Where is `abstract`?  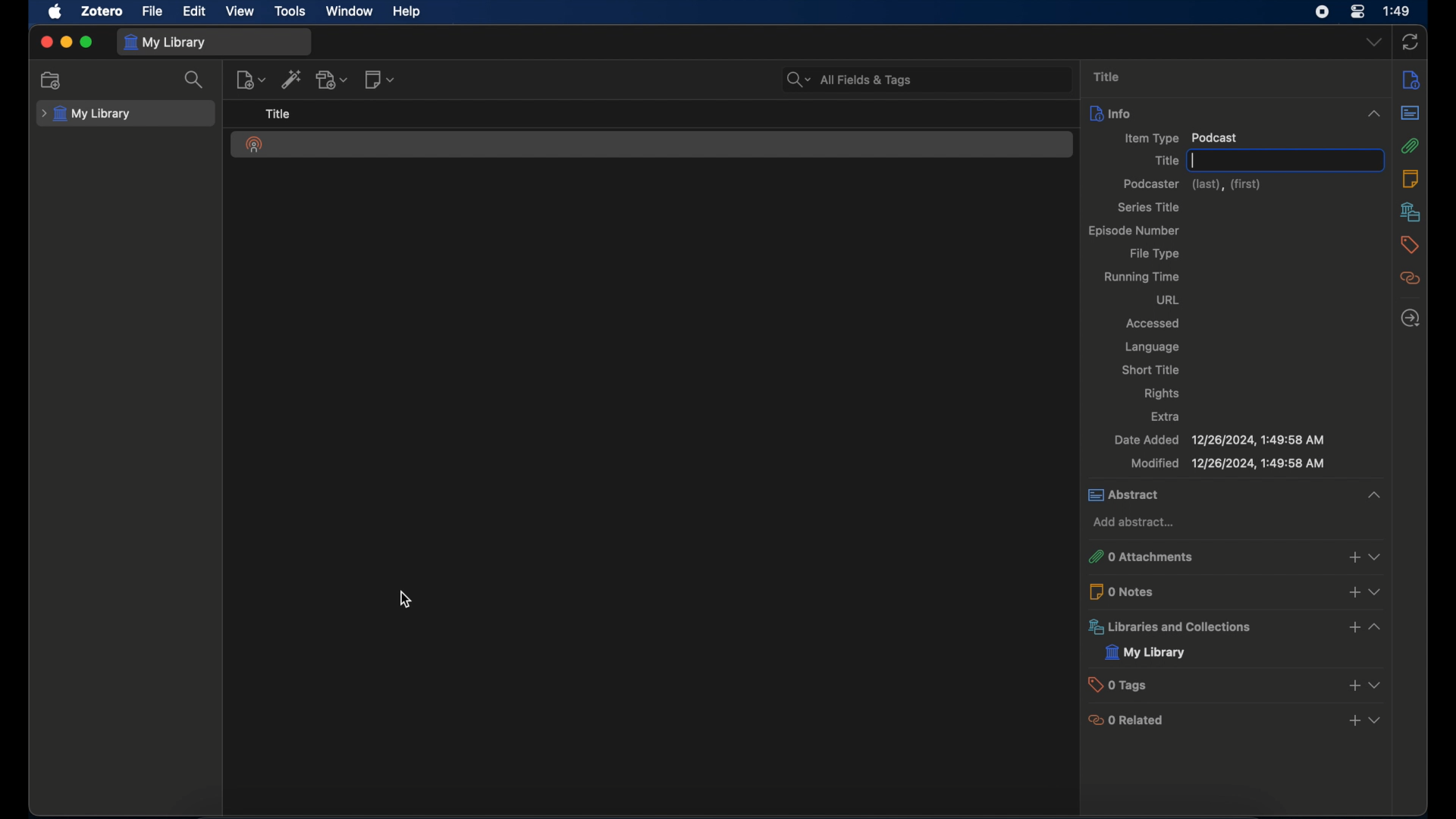 abstract is located at coordinates (1235, 496).